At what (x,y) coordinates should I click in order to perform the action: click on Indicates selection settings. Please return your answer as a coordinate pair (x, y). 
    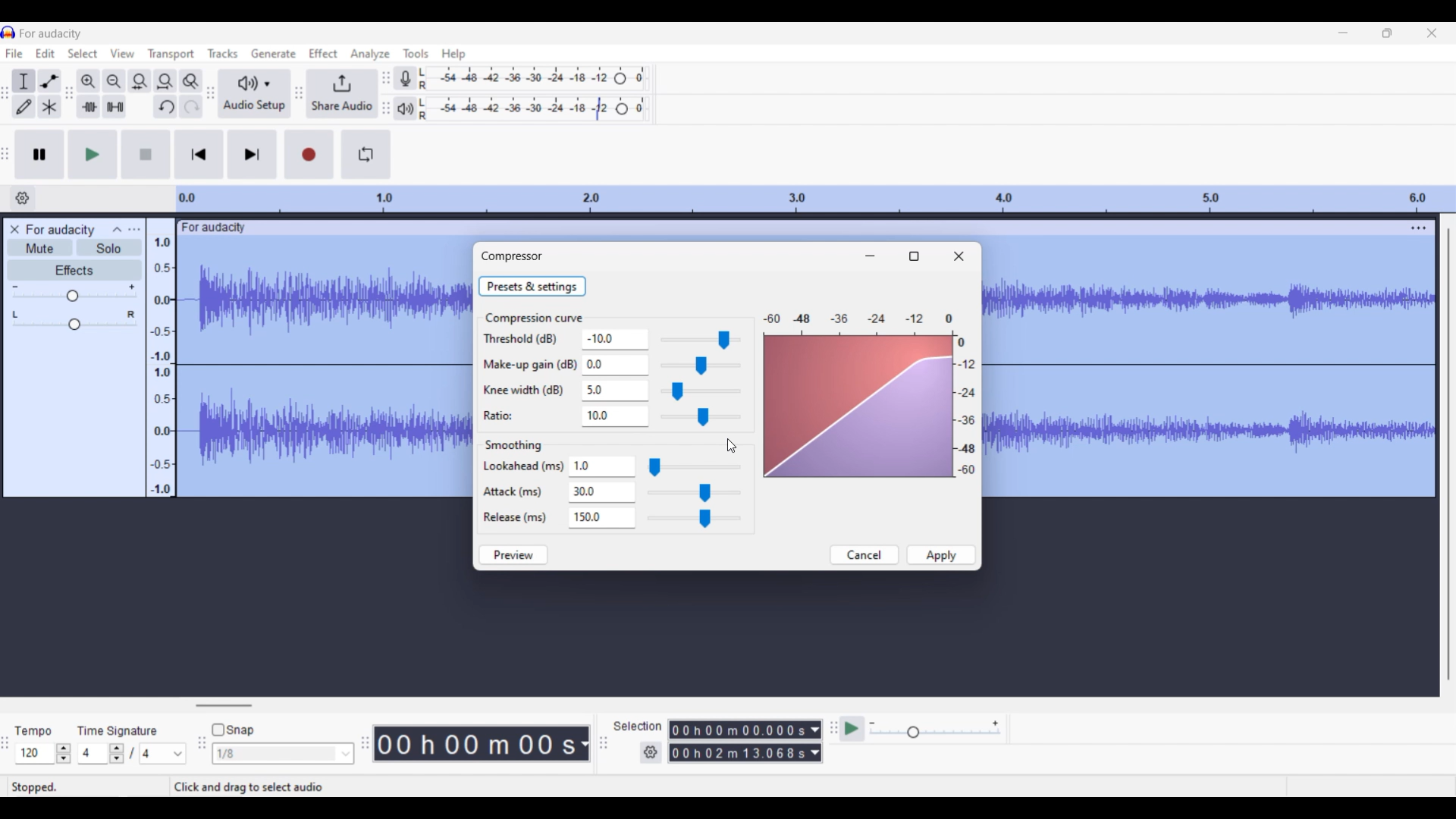
    Looking at the image, I should click on (637, 725).